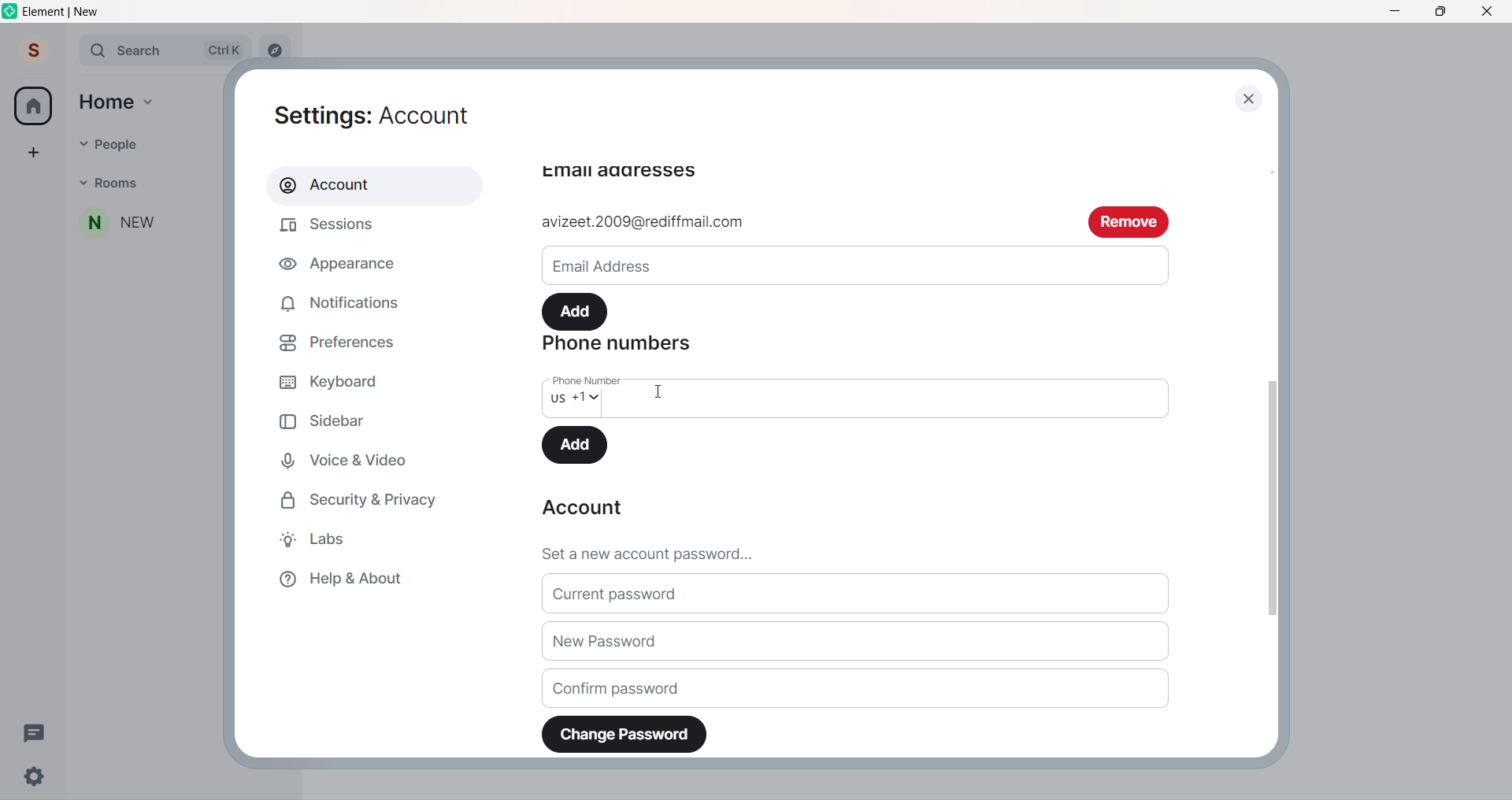  What do you see at coordinates (354, 579) in the screenshot?
I see `Help & About` at bounding box center [354, 579].